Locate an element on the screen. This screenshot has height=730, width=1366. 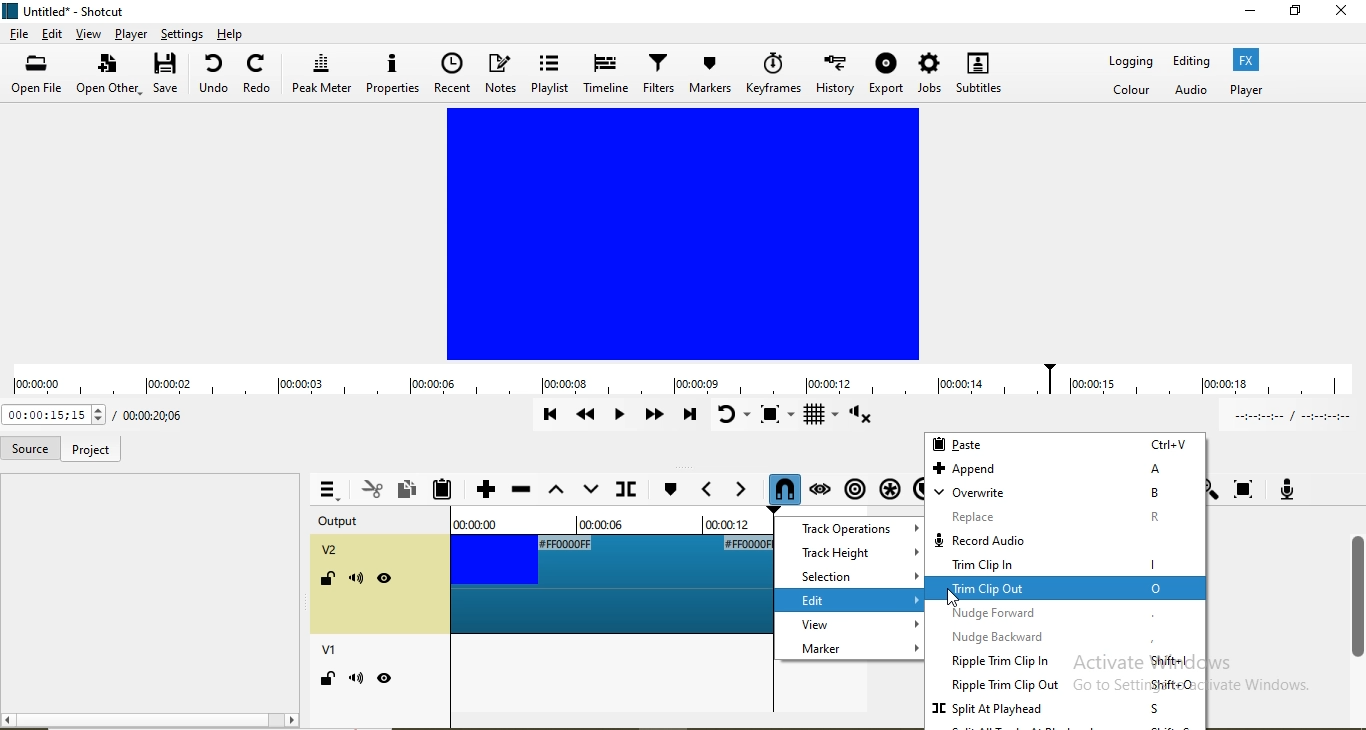
restore is located at coordinates (1297, 13).